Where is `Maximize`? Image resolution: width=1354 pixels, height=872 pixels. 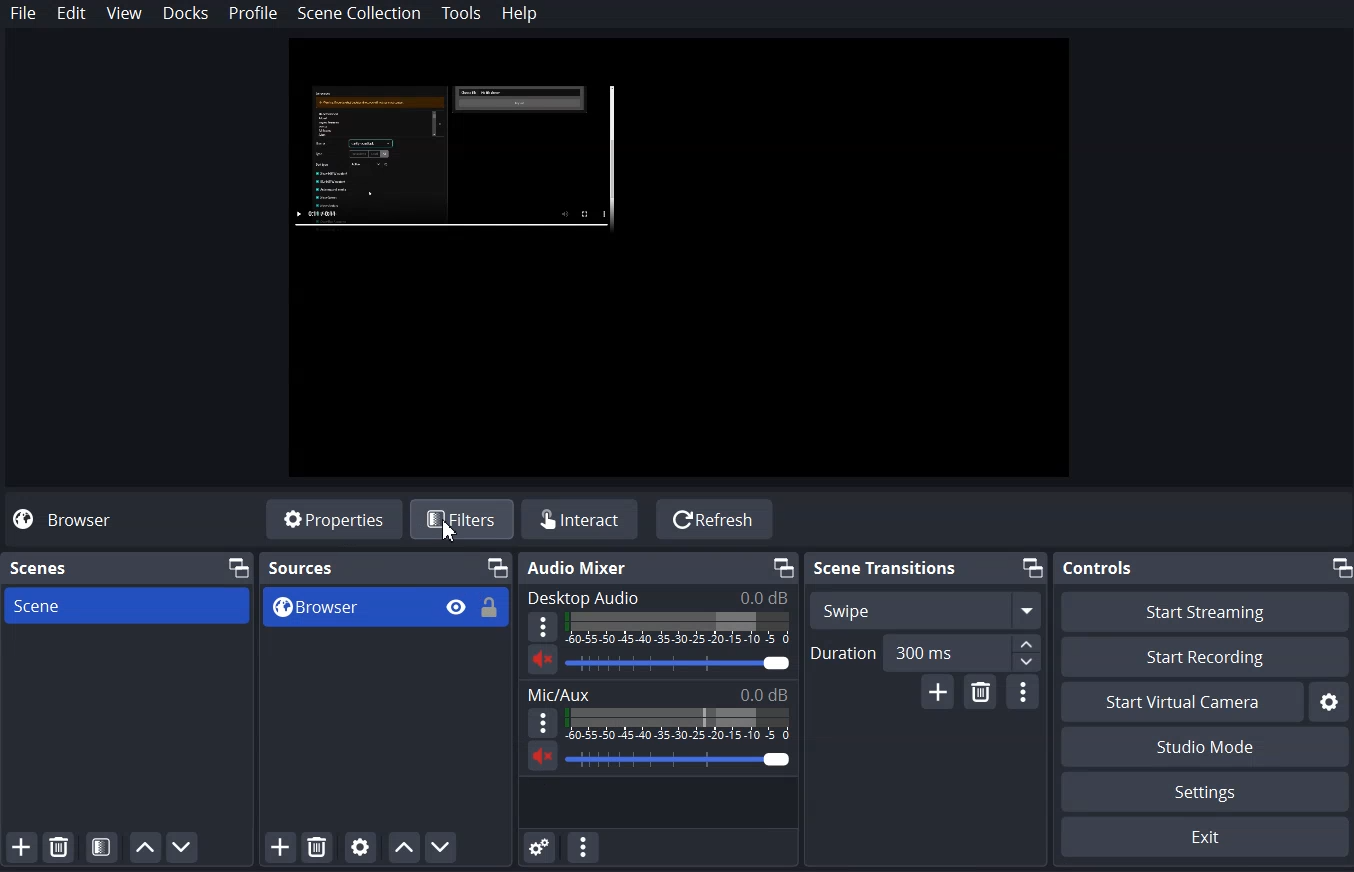
Maximize is located at coordinates (239, 567).